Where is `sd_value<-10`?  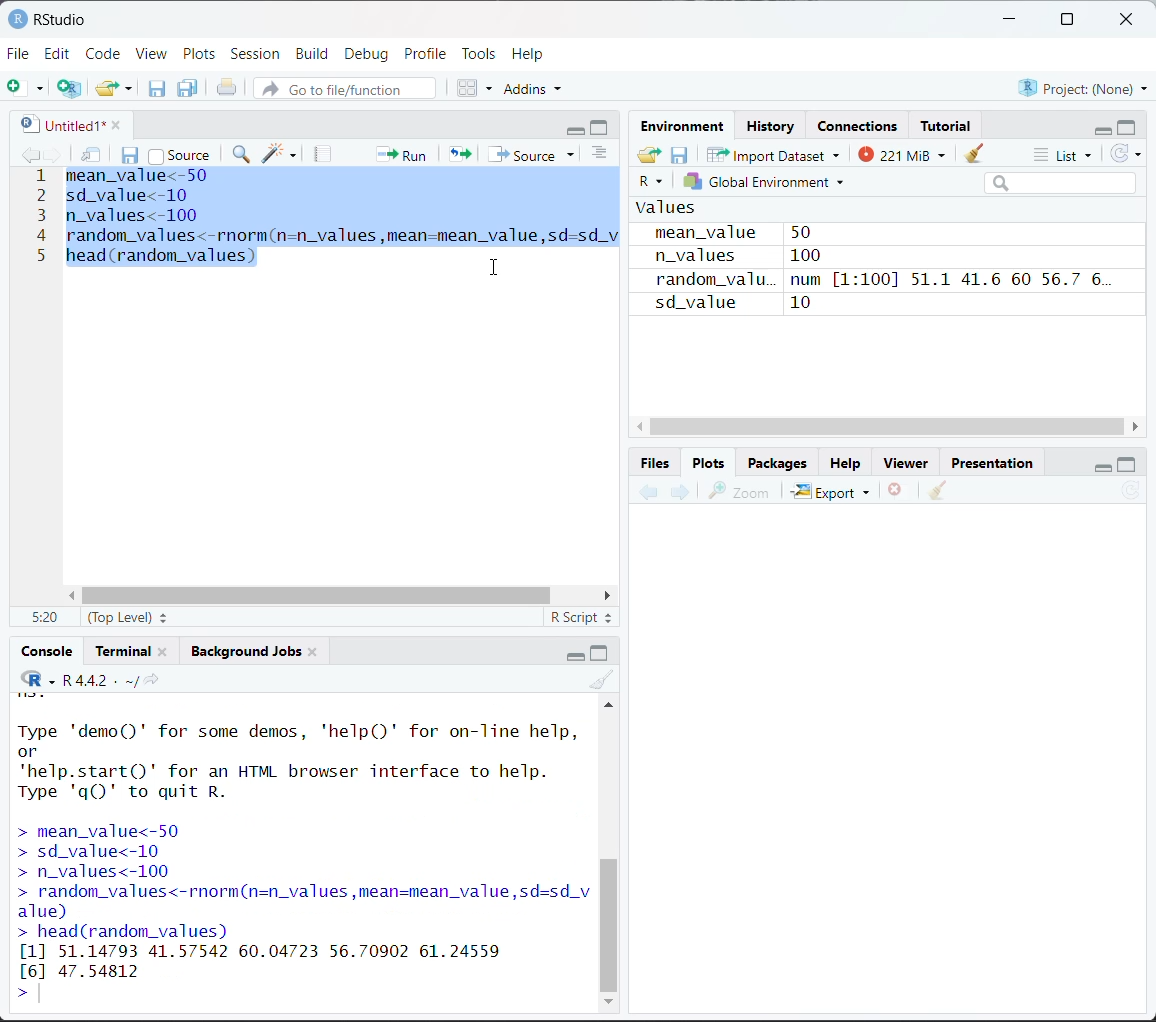 sd_value<-10 is located at coordinates (129, 194).